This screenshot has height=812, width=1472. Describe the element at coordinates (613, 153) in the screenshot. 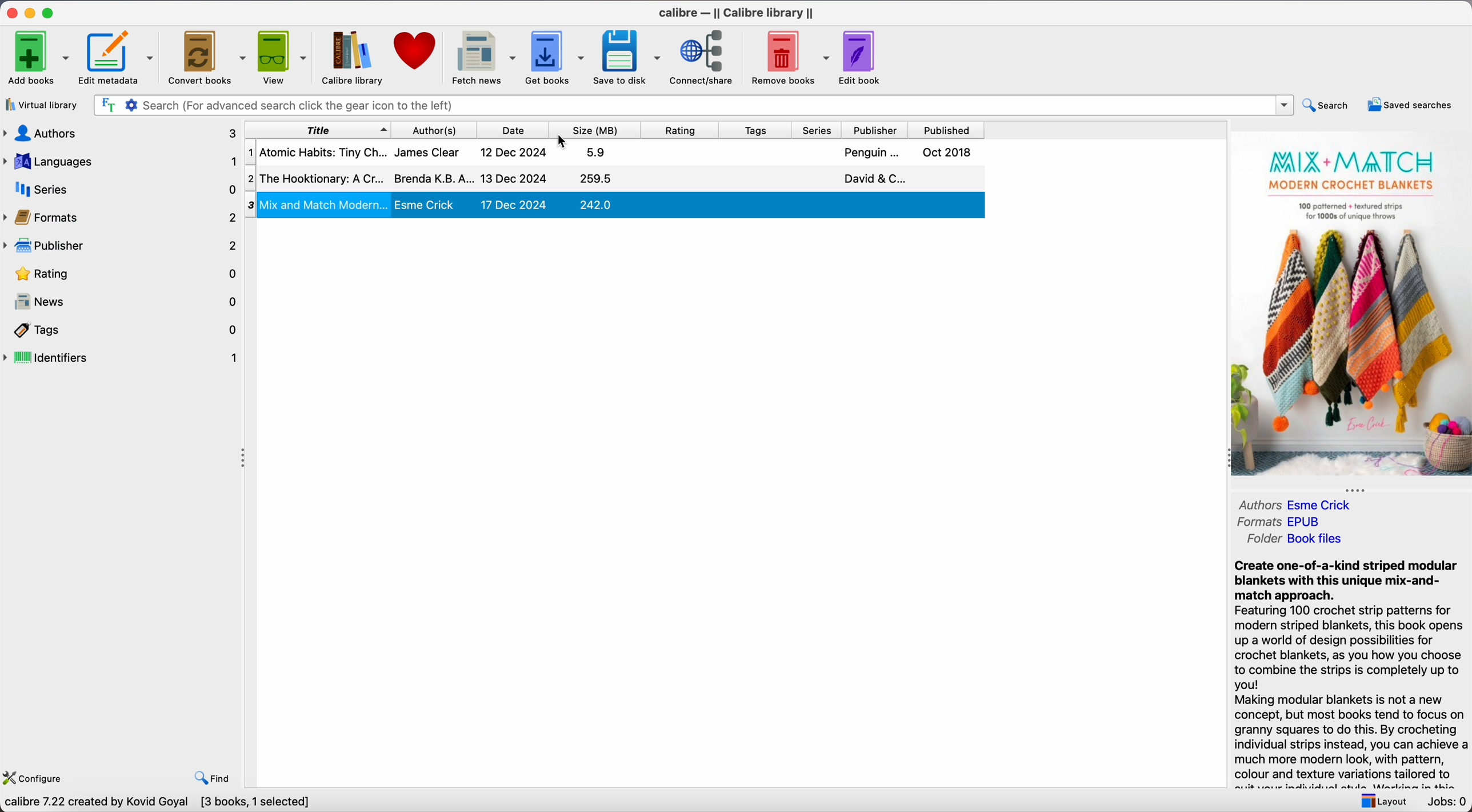

I see `atomic habits` at that location.